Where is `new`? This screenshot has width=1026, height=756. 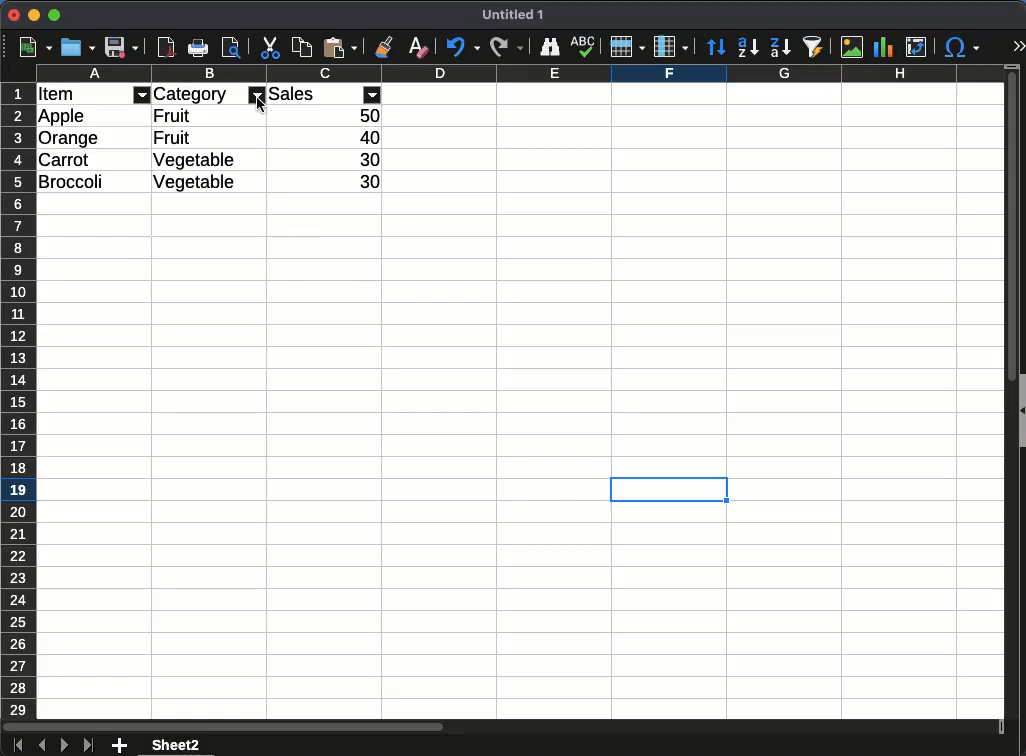 new is located at coordinates (36, 47).